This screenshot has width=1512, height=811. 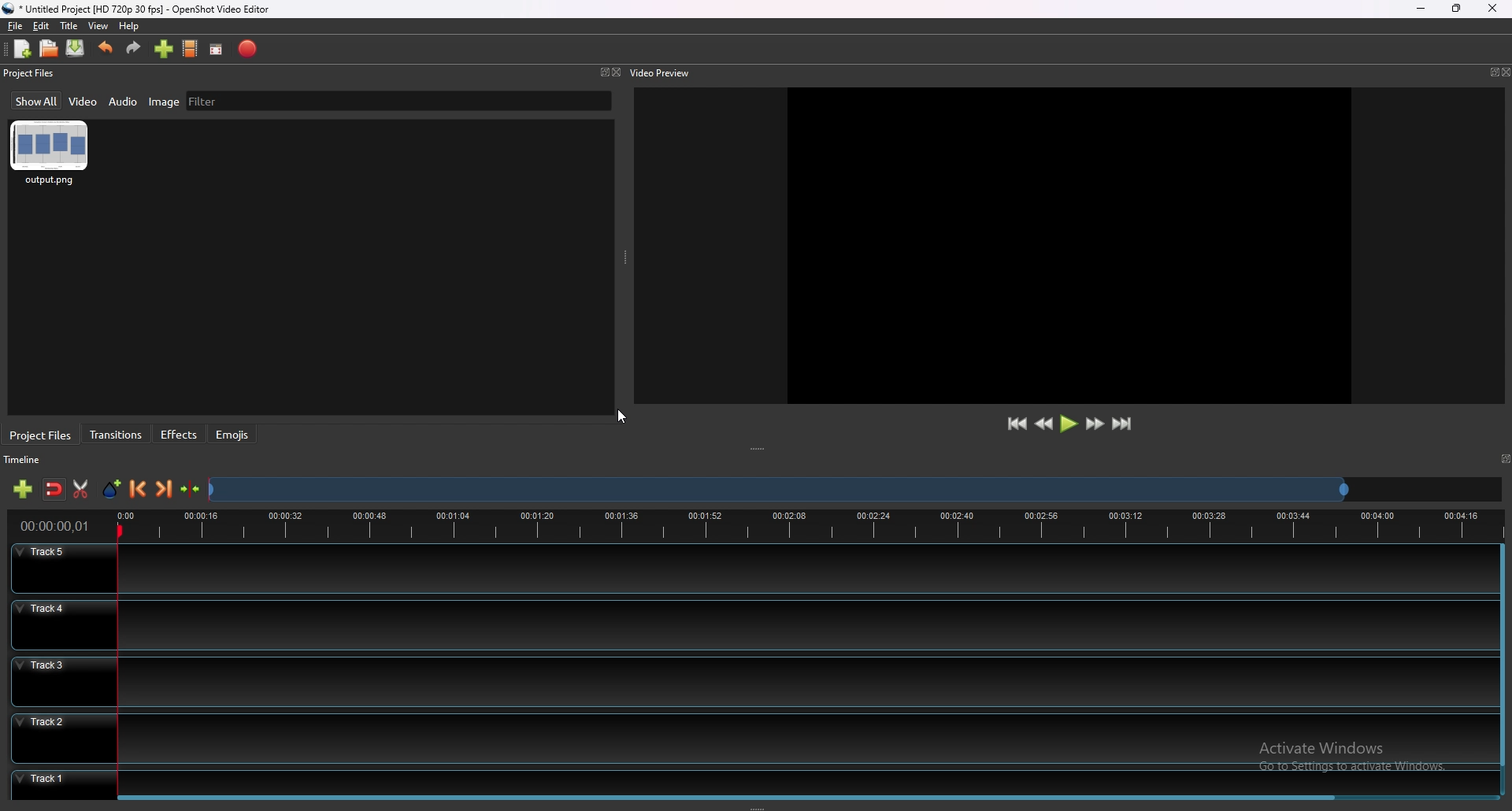 I want to click on edit, so click(x=40, y=27).